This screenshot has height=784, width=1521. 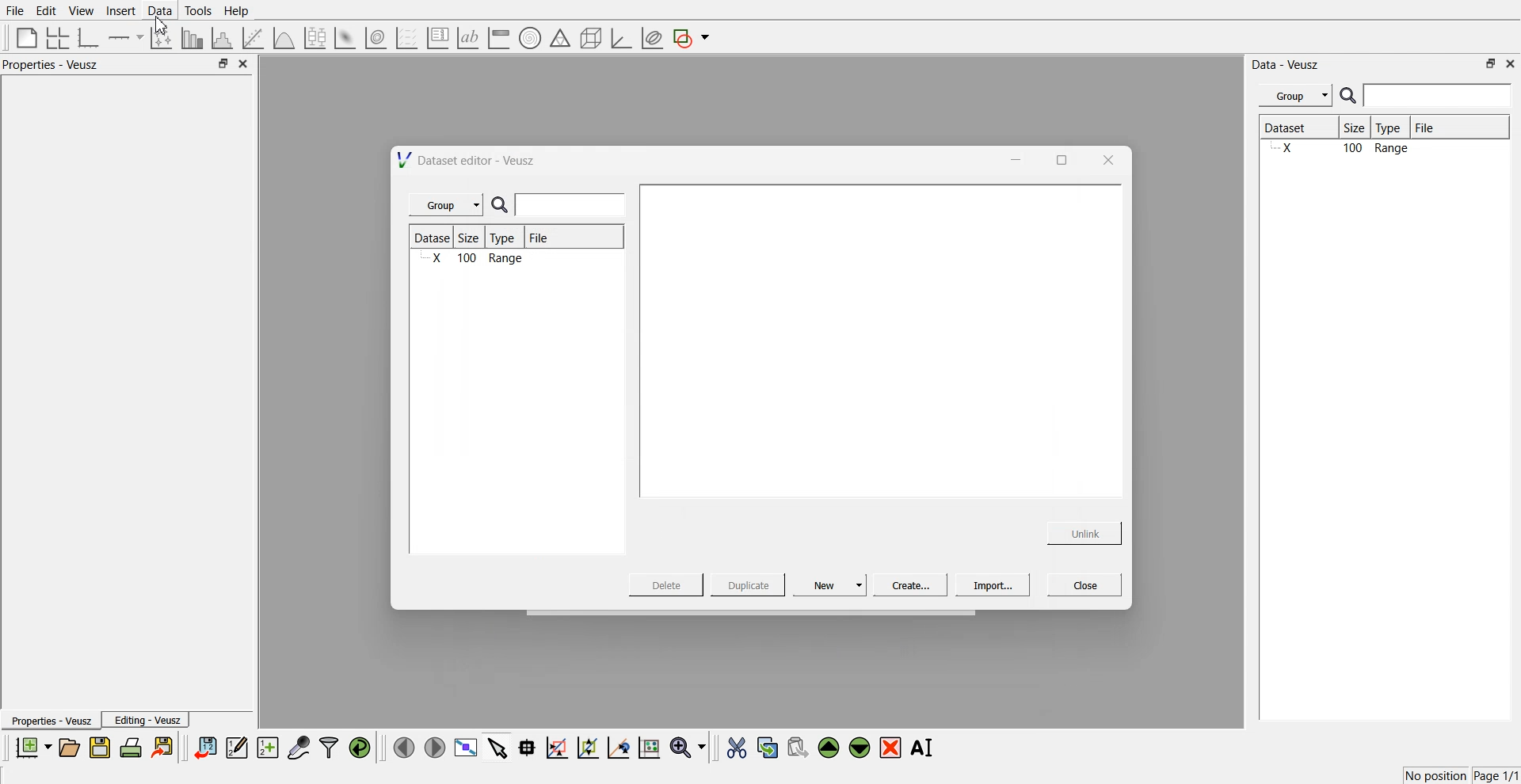 What do you see at coordinates (408, 38) in the screenshot?
I see `plot a vector set` at bounding box center [408, 38].